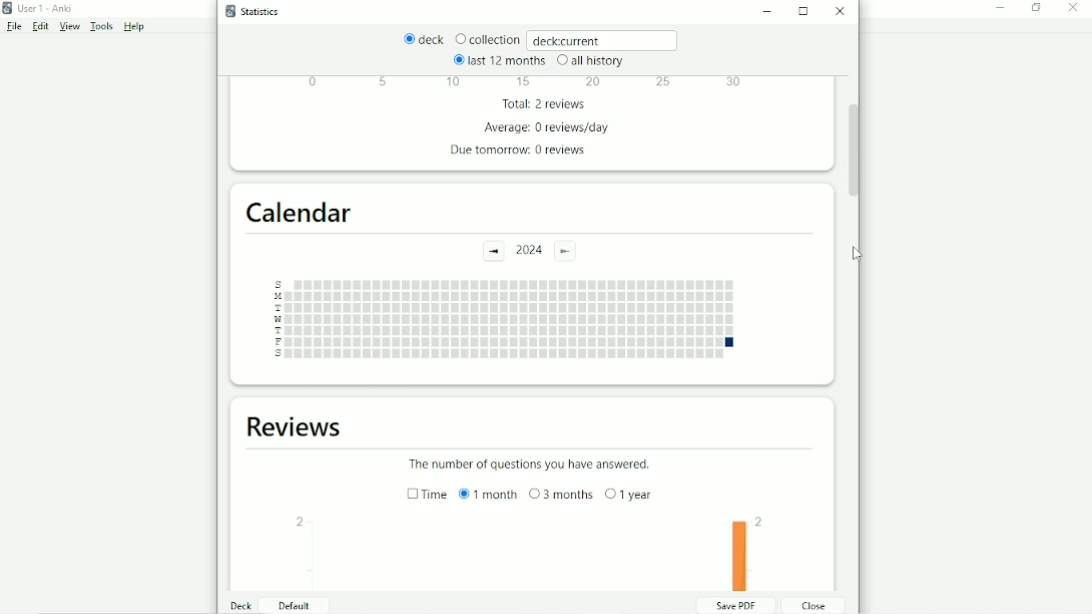 Image resolution: width=1092 pixels, height=614 pixels. Describe the element at coordinates (538, 553) in the screenshot. I see `Bar graph` at that location.